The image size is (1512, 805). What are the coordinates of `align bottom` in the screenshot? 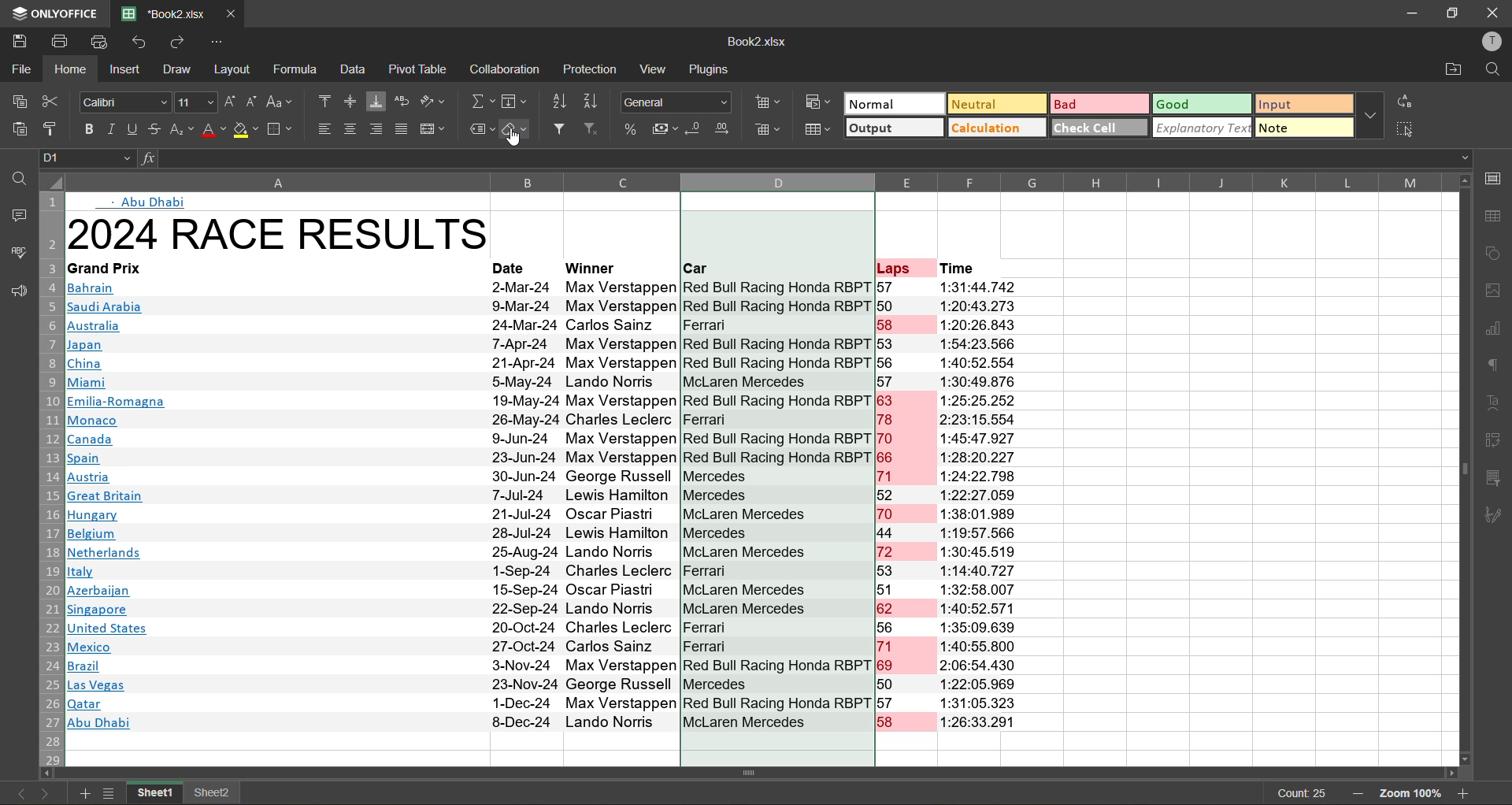 It's located at (377, 103).